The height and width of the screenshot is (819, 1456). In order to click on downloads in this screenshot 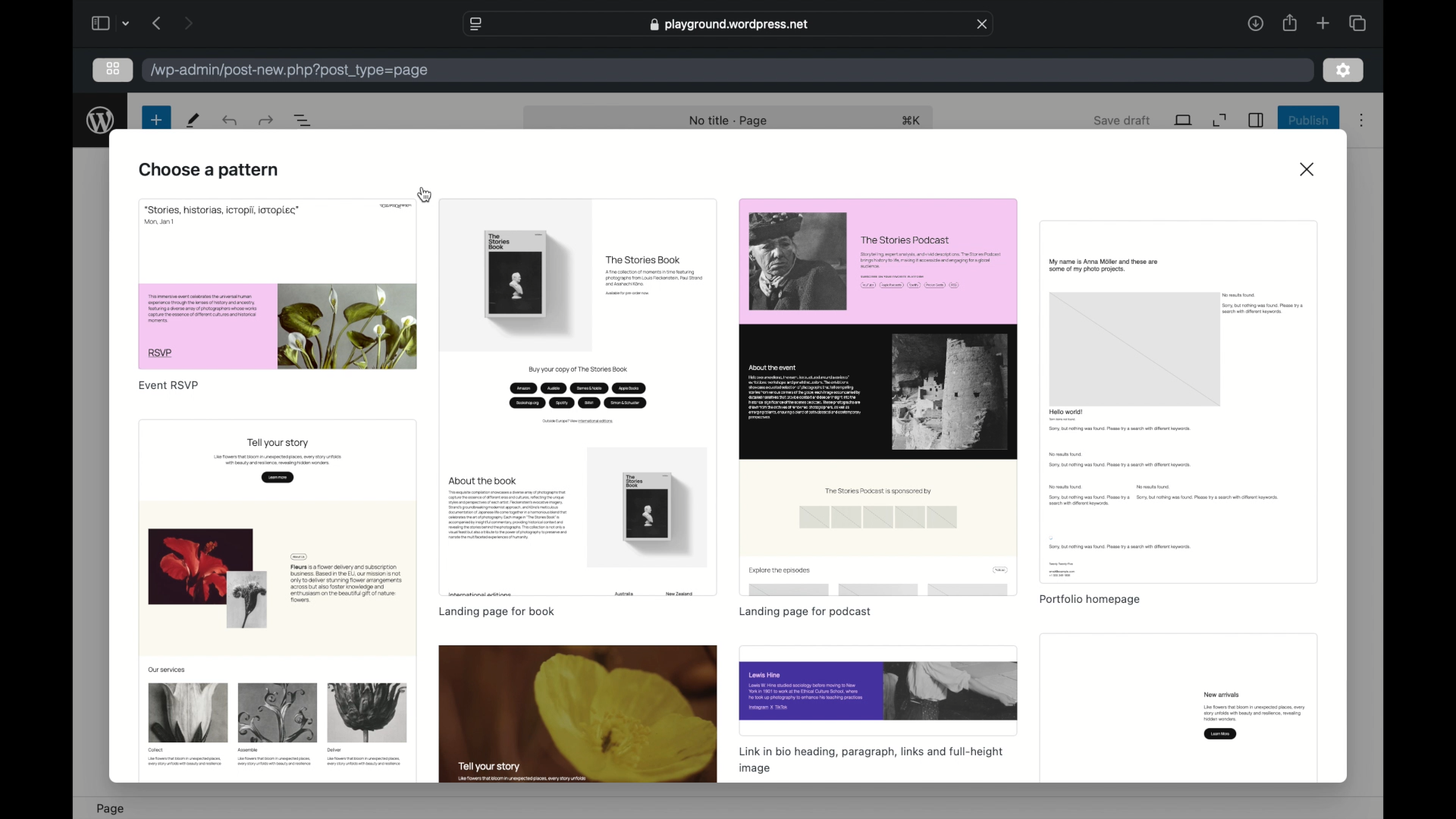, I will do `click(1254, 23)`.